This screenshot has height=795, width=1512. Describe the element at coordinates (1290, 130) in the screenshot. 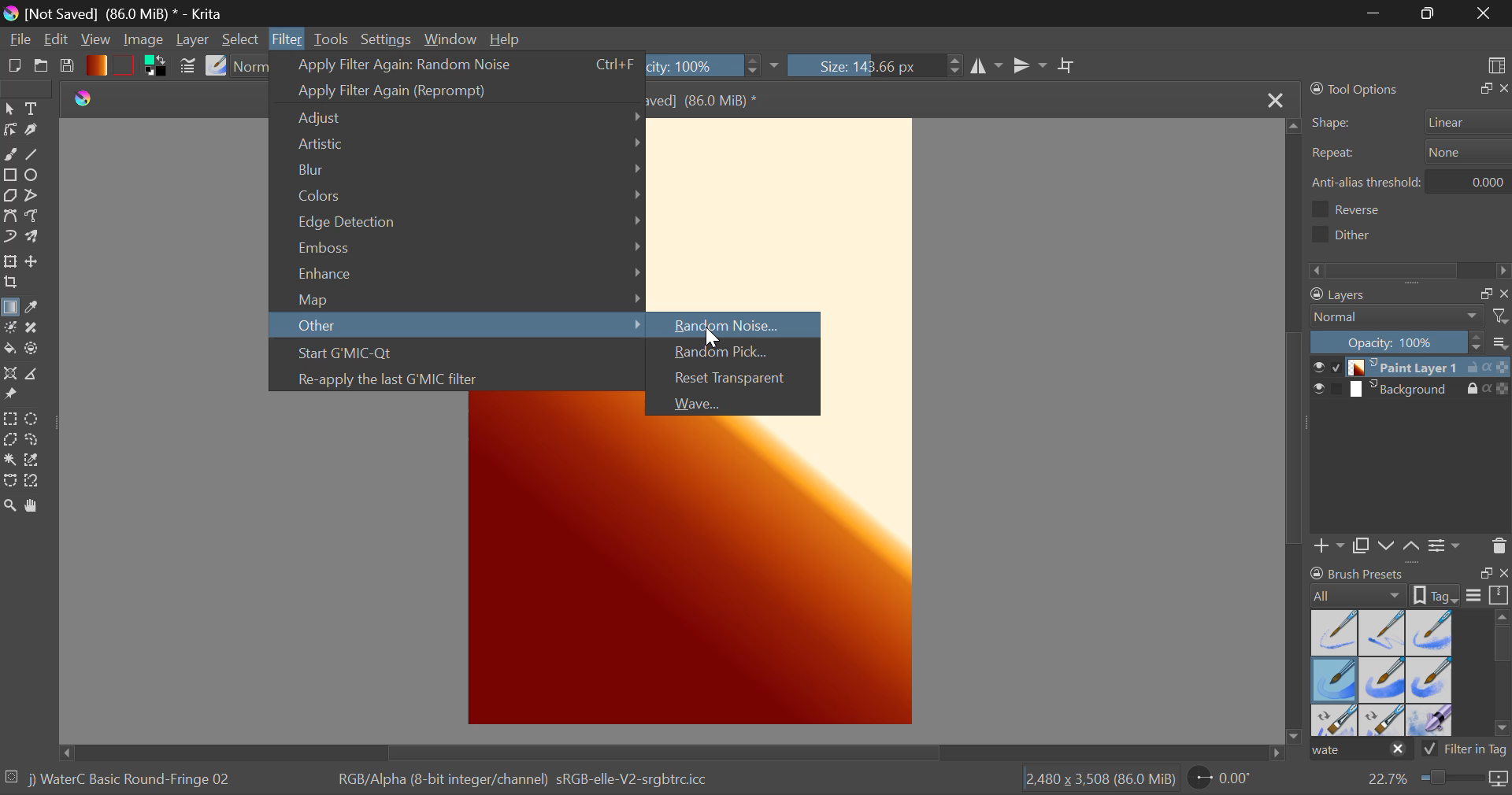

I see `move up` at that location.